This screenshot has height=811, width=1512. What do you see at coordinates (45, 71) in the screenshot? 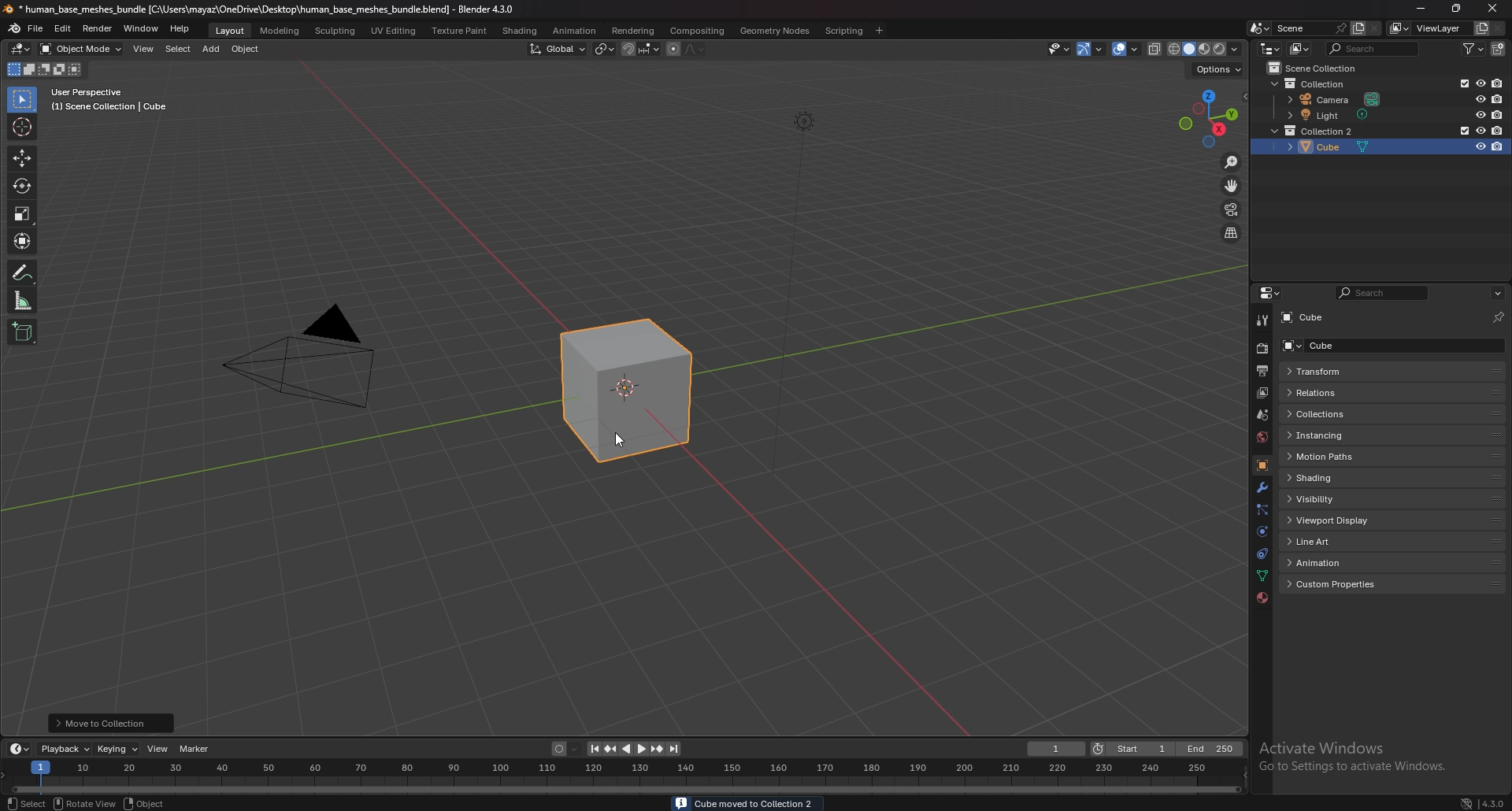
I see `mode` at bounding box center [45, 71].